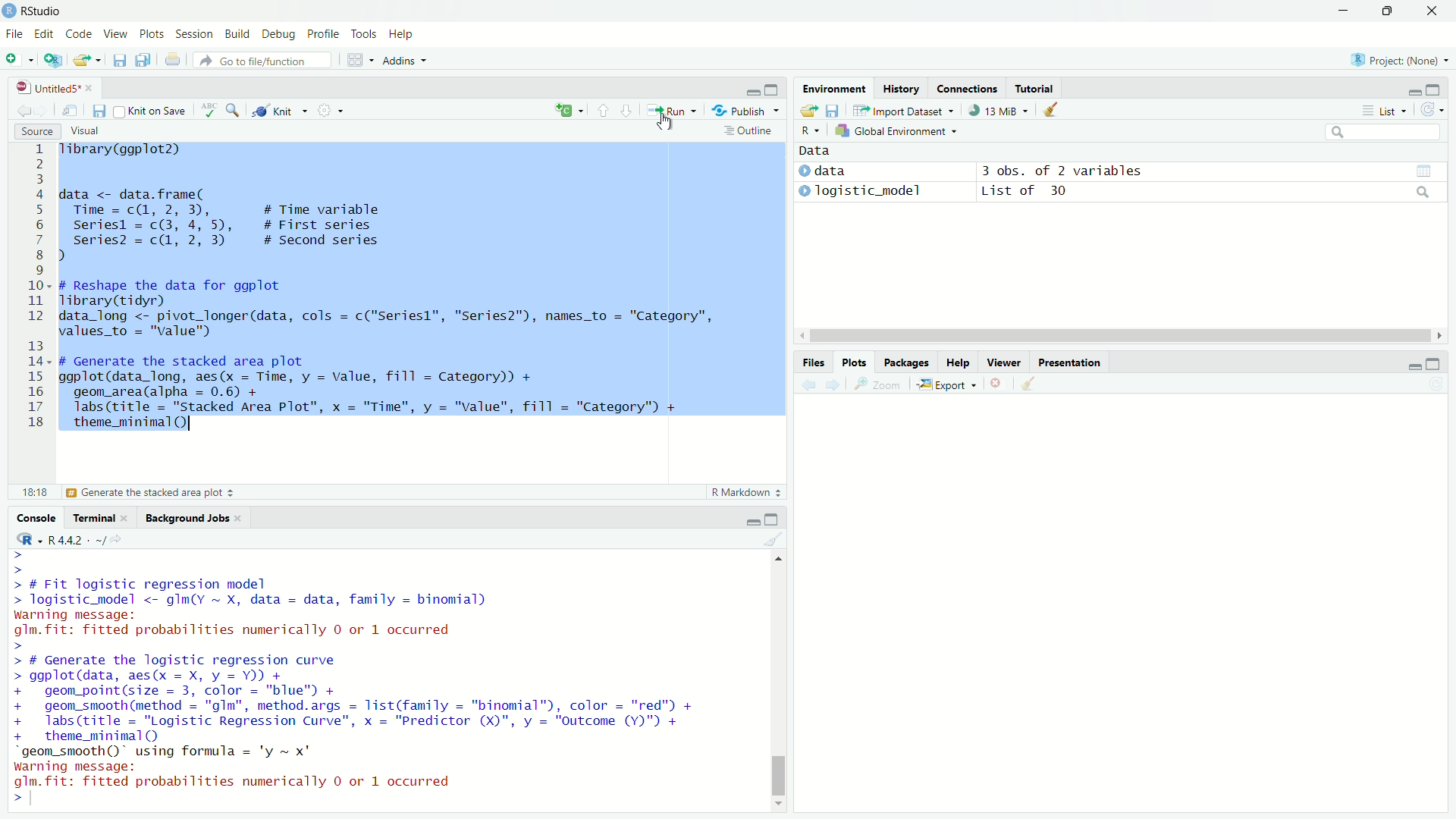 This screenshot has height=819, width=1456. I want to click on Files, so click(808, 362).